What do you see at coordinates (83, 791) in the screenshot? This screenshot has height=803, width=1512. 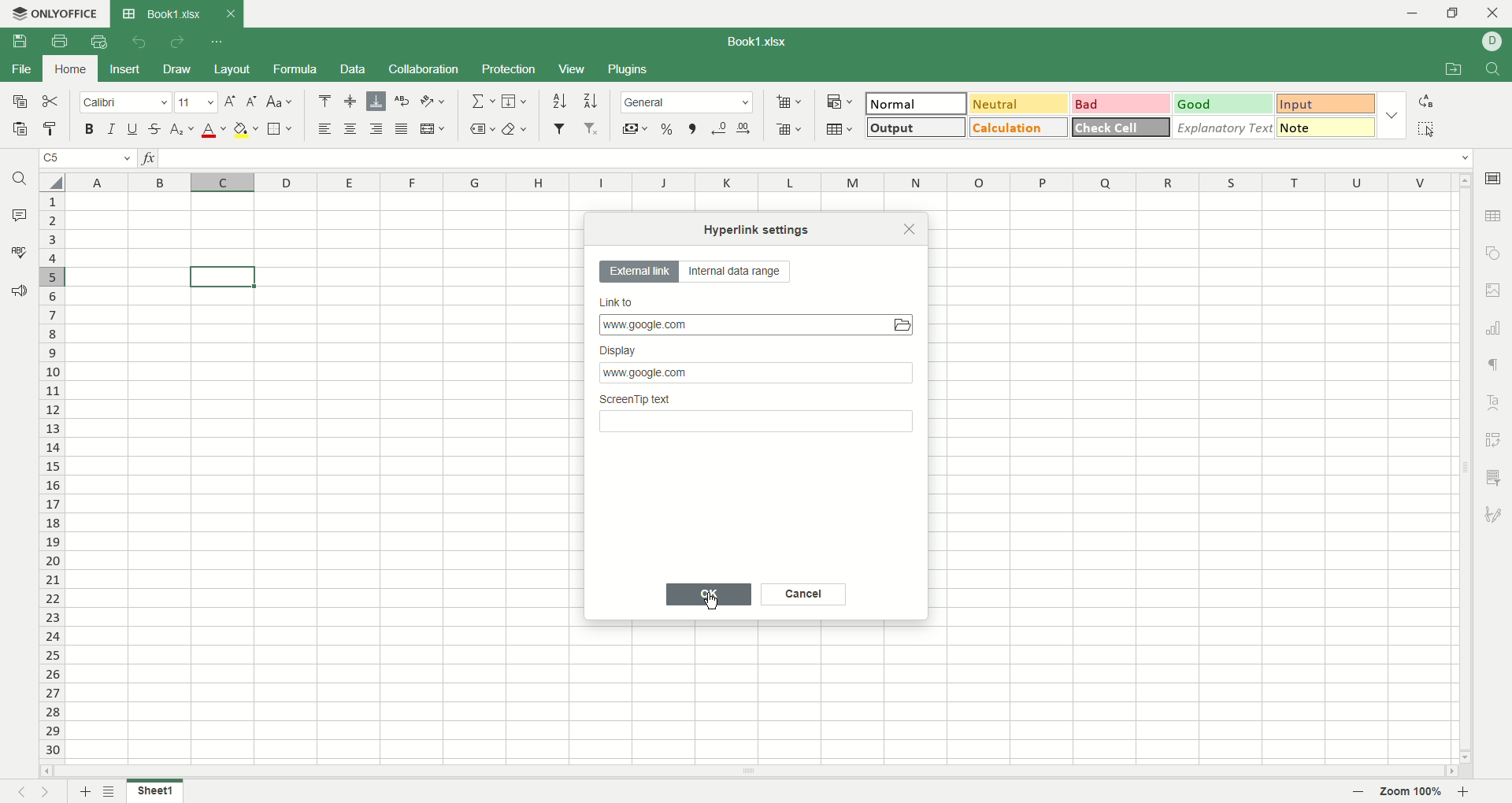 I see `add` at bounding box center [83, 791].